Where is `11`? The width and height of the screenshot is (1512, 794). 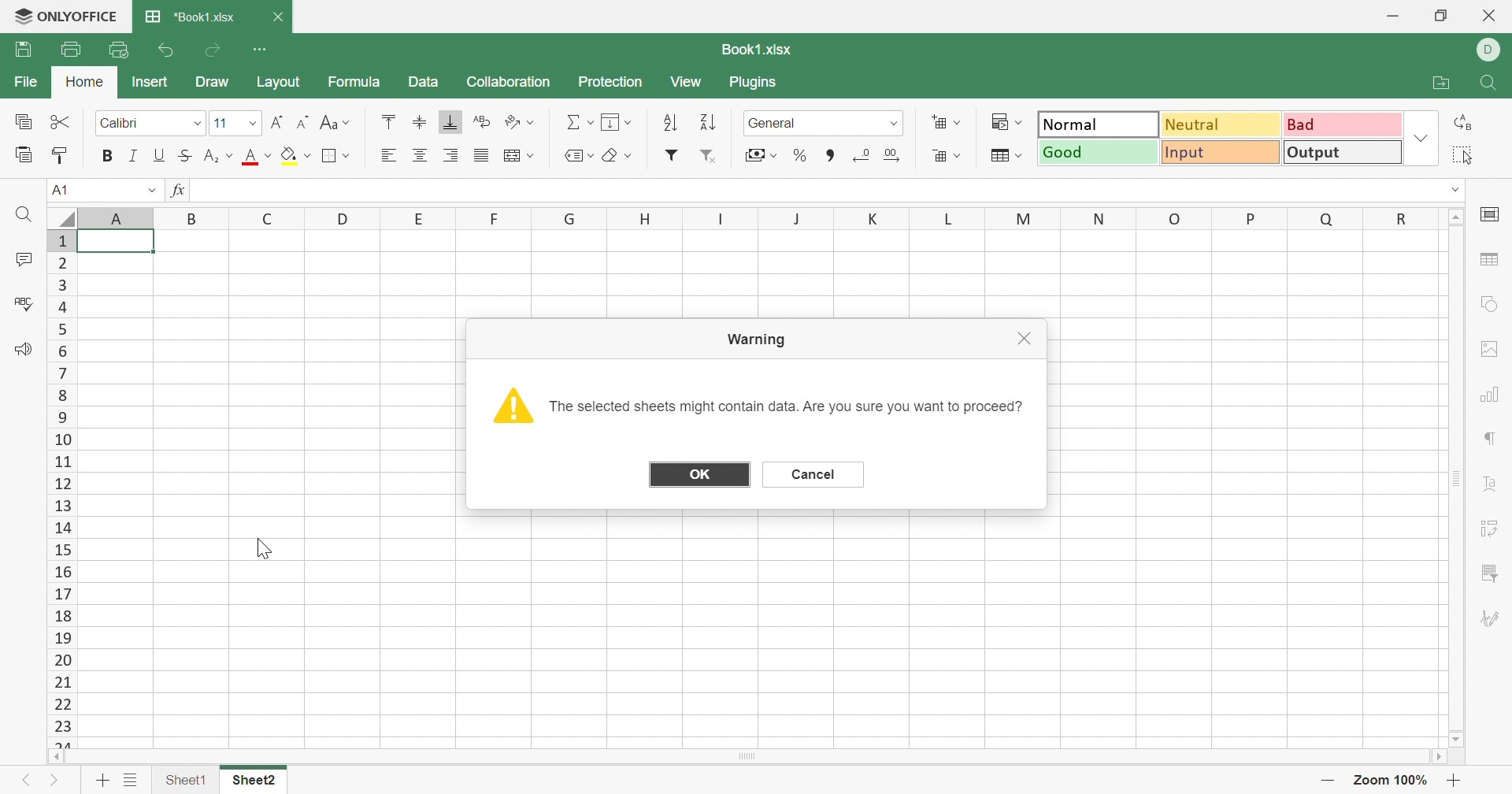 11 is located at coordinates (220, 123).